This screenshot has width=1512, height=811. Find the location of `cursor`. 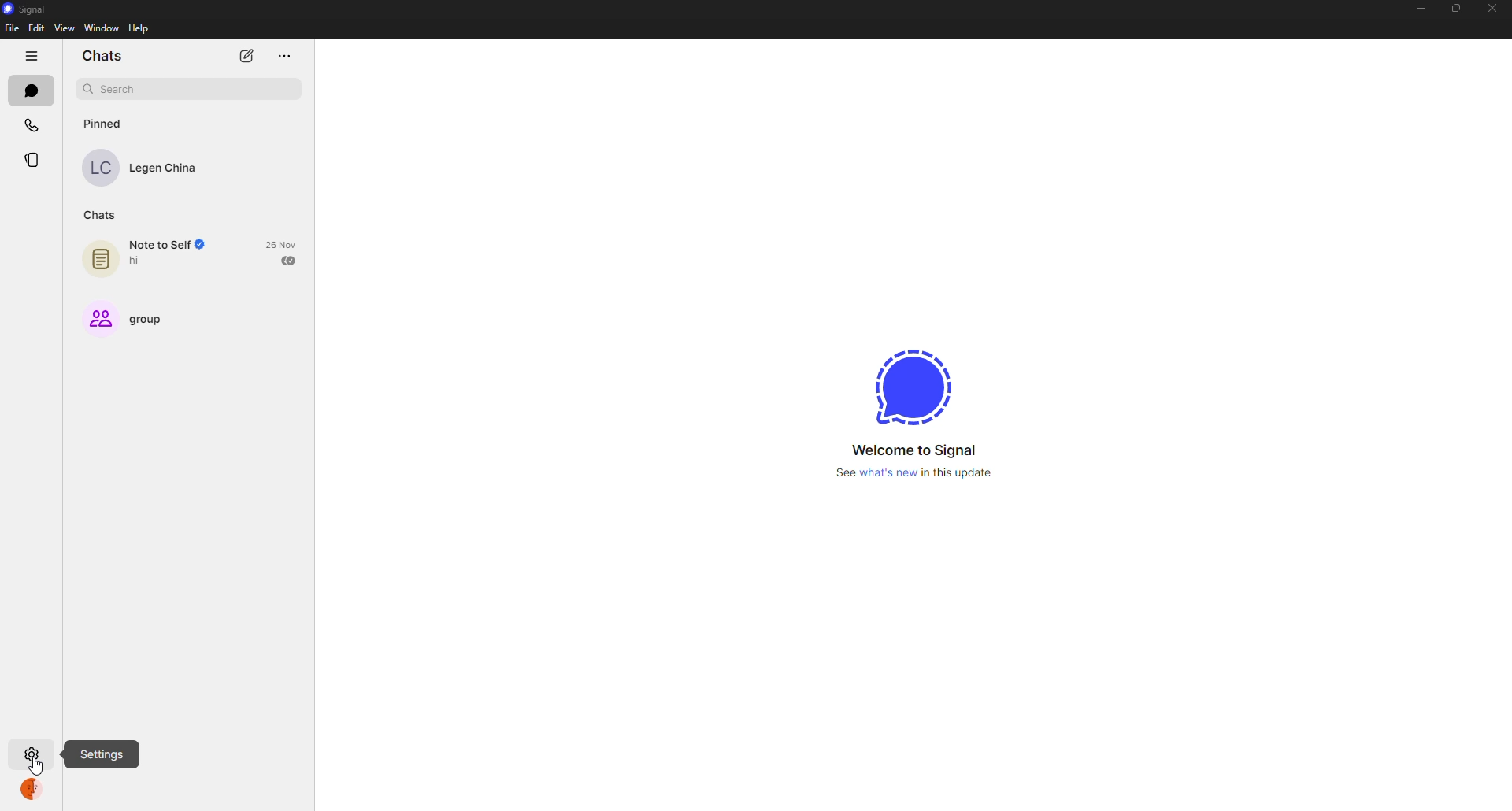

cursor is located at coordinates (39, 768).